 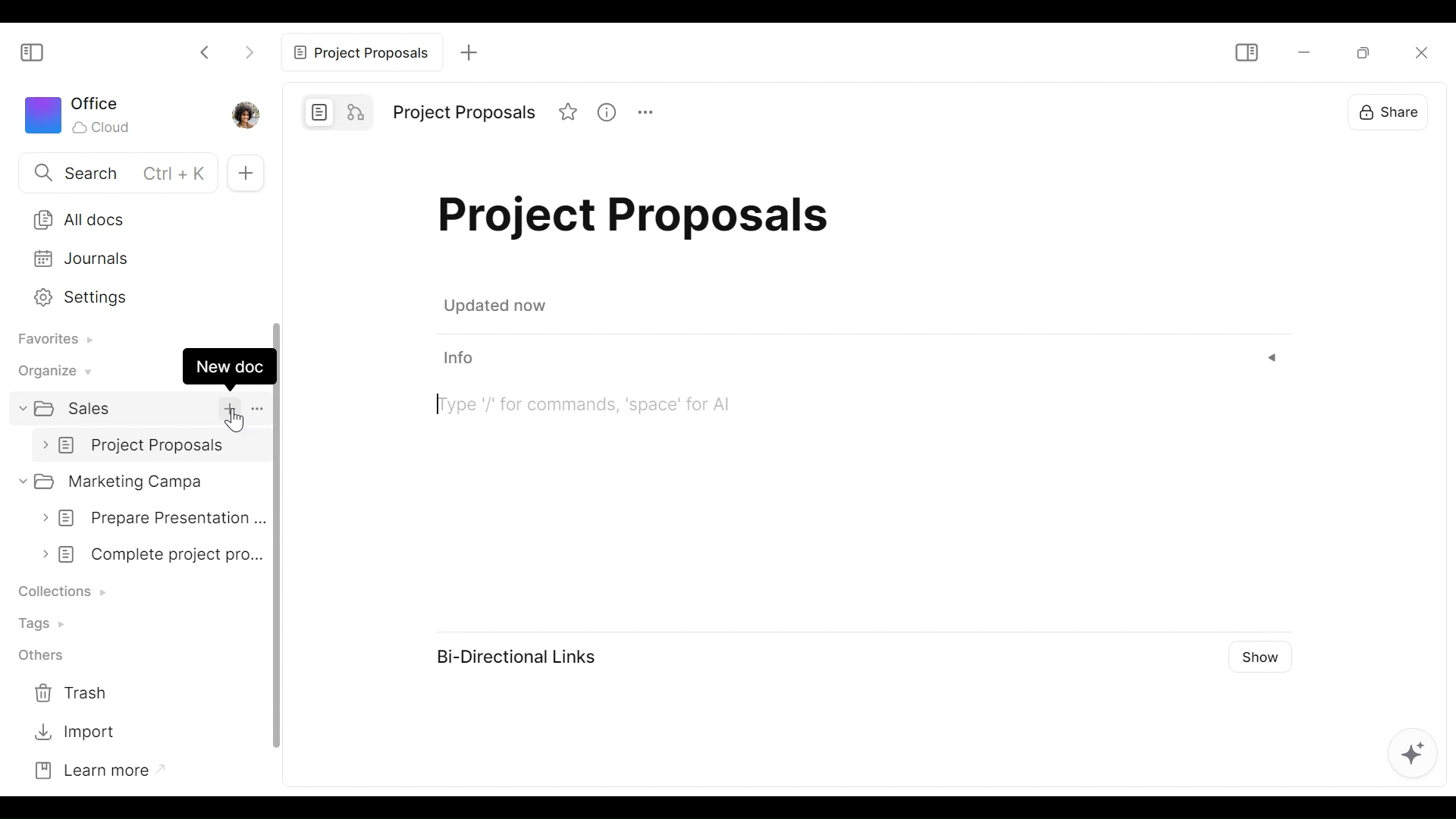 What do you see at coordinates (235, 422) in the screenshot?
I see `cursor pointer` at bounding box center [235, 422].